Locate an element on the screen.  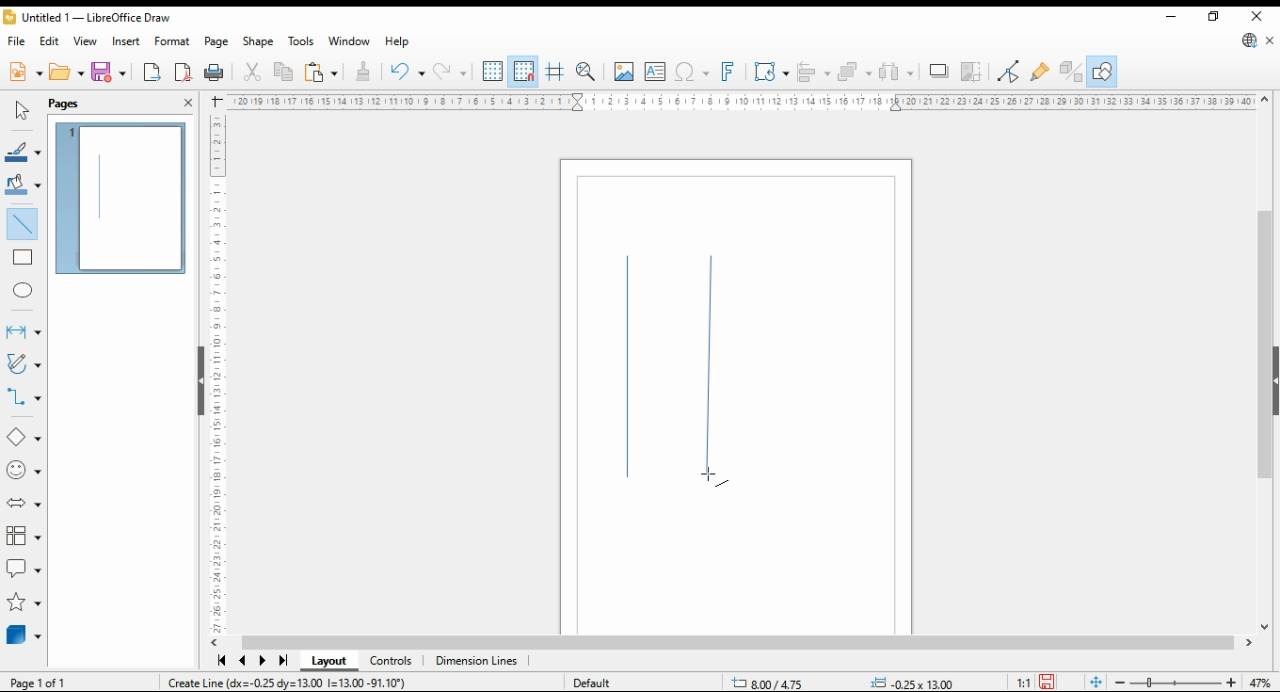
insert image is located at coordinates (624, 71).